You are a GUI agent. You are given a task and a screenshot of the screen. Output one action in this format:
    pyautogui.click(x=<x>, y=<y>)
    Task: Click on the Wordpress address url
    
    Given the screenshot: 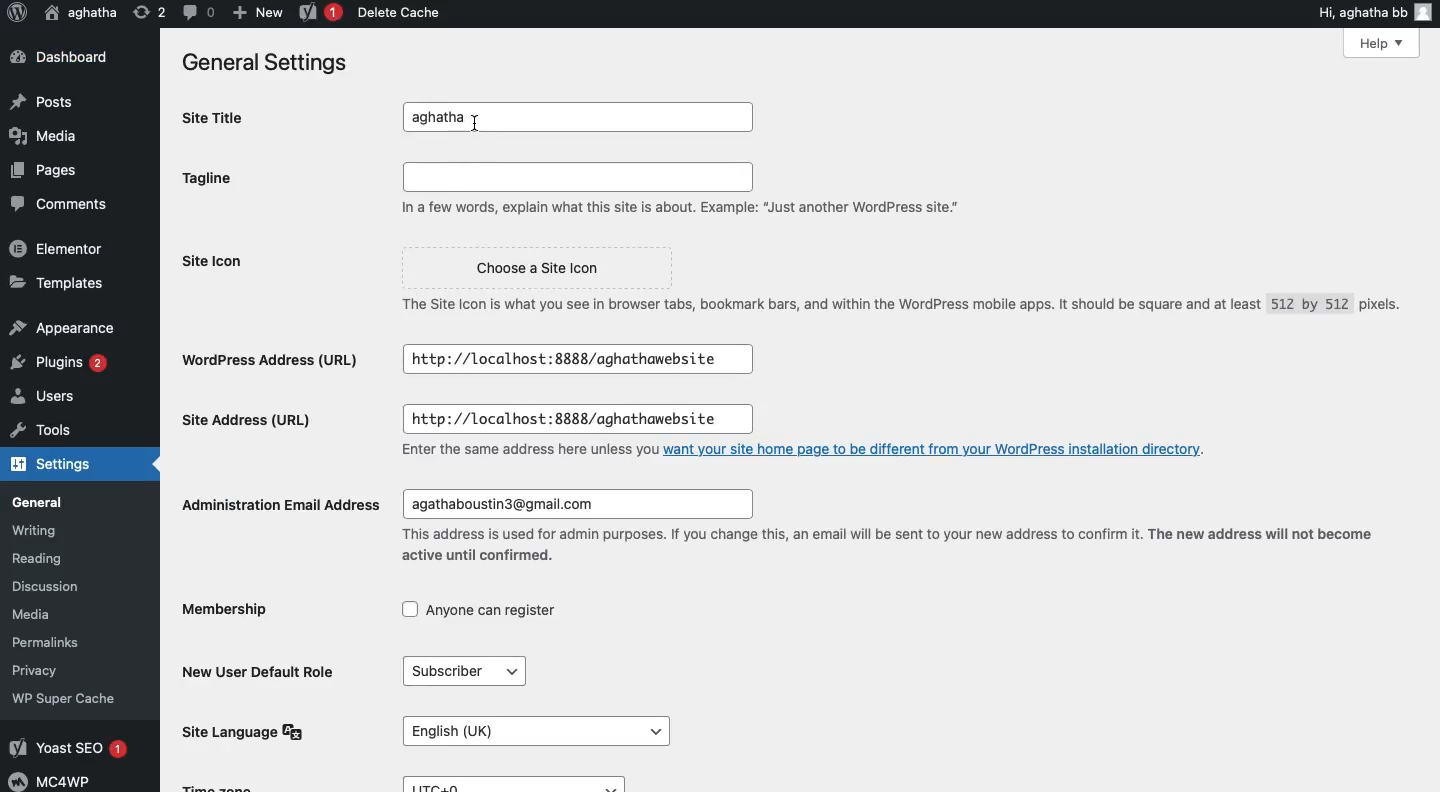 What is the action you would take?
    pyautogui.click(x=273, y=361)
    